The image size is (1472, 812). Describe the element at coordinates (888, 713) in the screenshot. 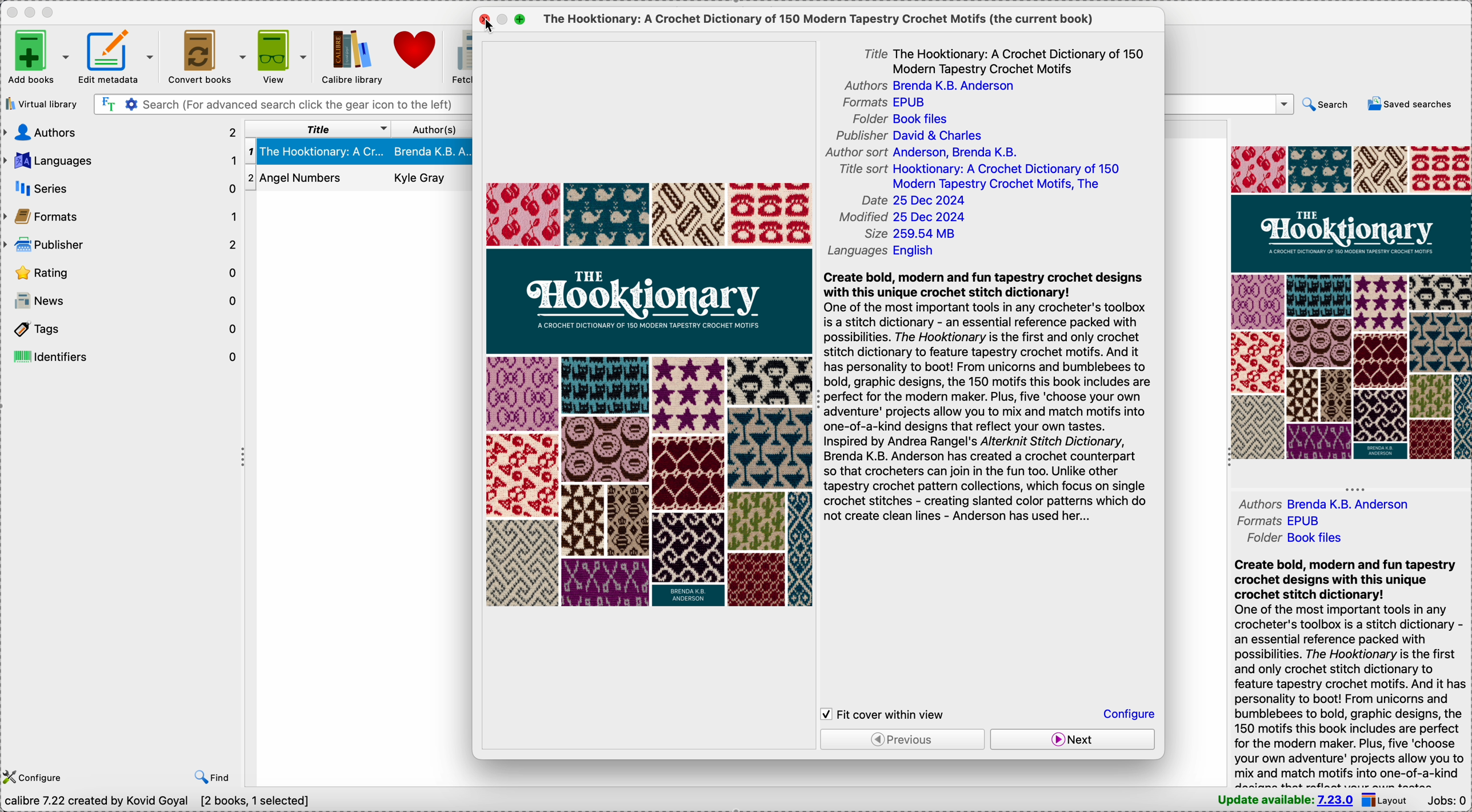

I see `fit cover within view` at that location.